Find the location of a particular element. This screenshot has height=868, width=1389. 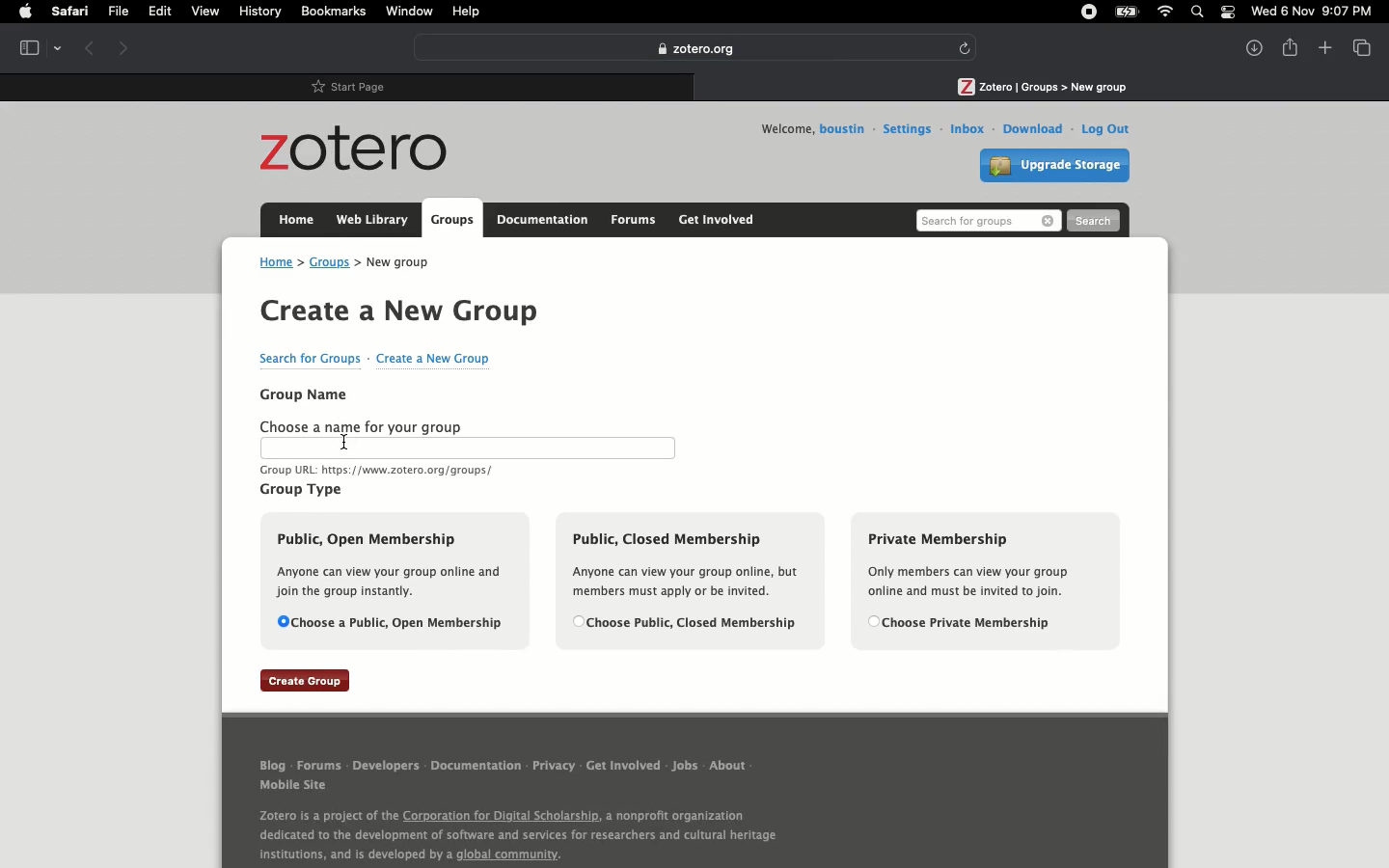

Home is located at coordinates (292, 218).